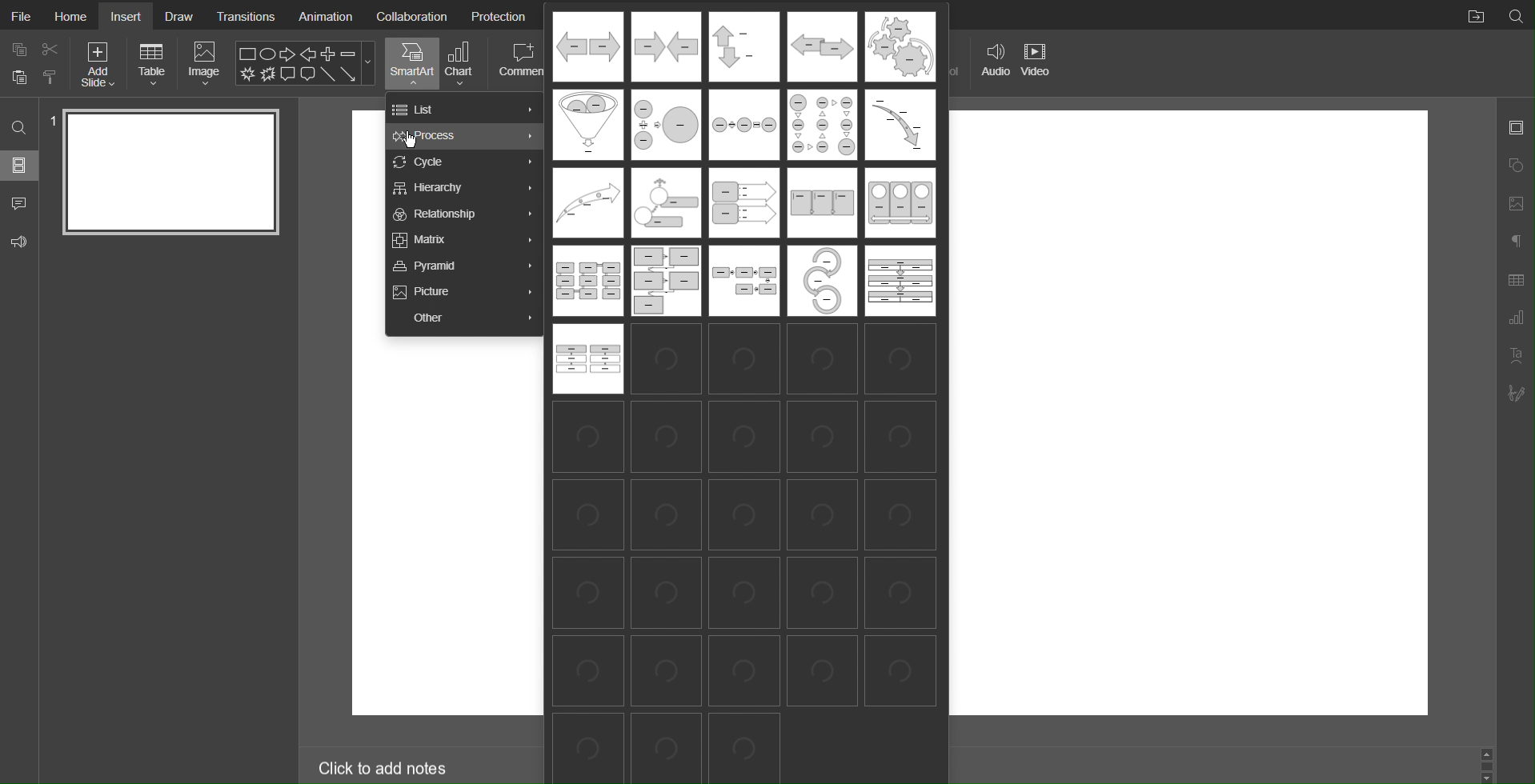 This screenshot has height=784, width=1535. What do you see at coordinates (465, 214) in the screenshot?
I see `Relationship` at bounding box center [465, 214].